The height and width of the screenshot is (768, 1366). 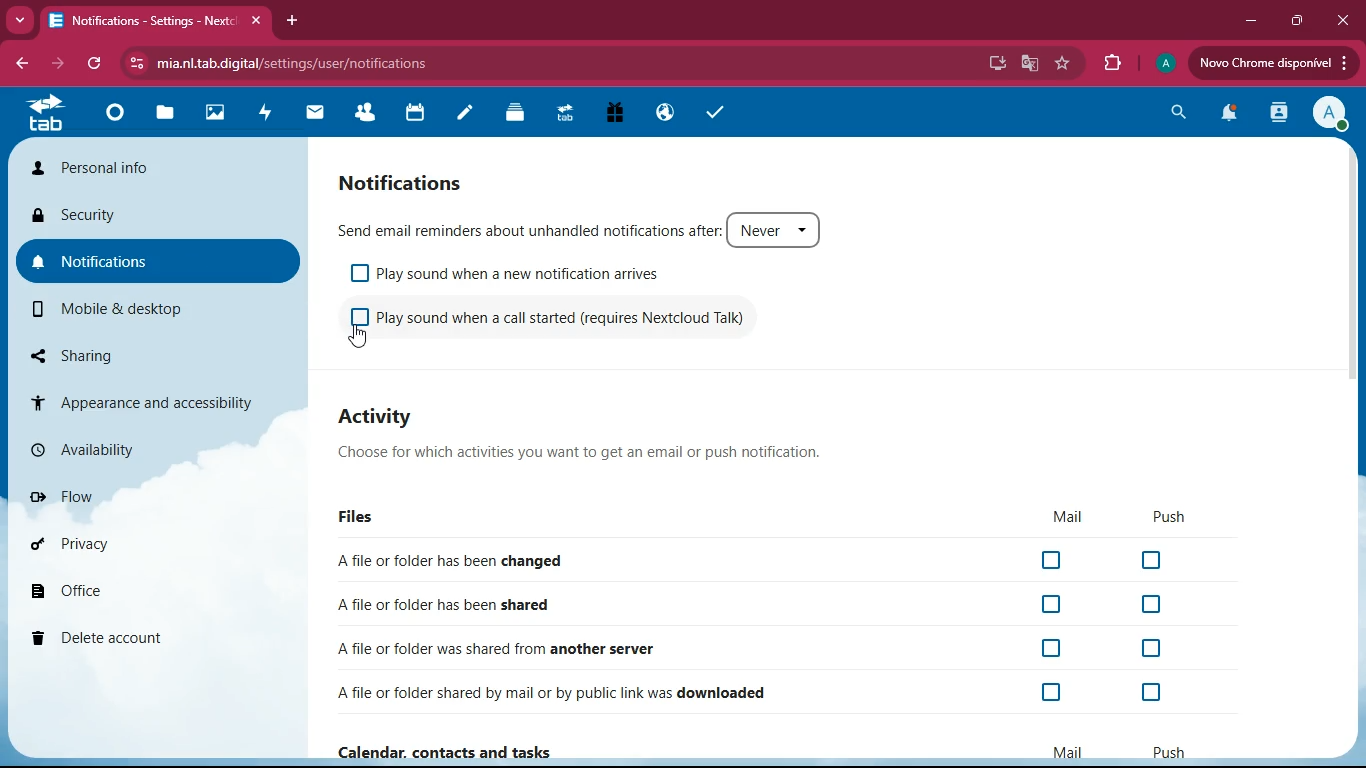 What do you see at coordinates (456, 607) in the screenshot?
I see `shared` at bounding box center [456, 607].